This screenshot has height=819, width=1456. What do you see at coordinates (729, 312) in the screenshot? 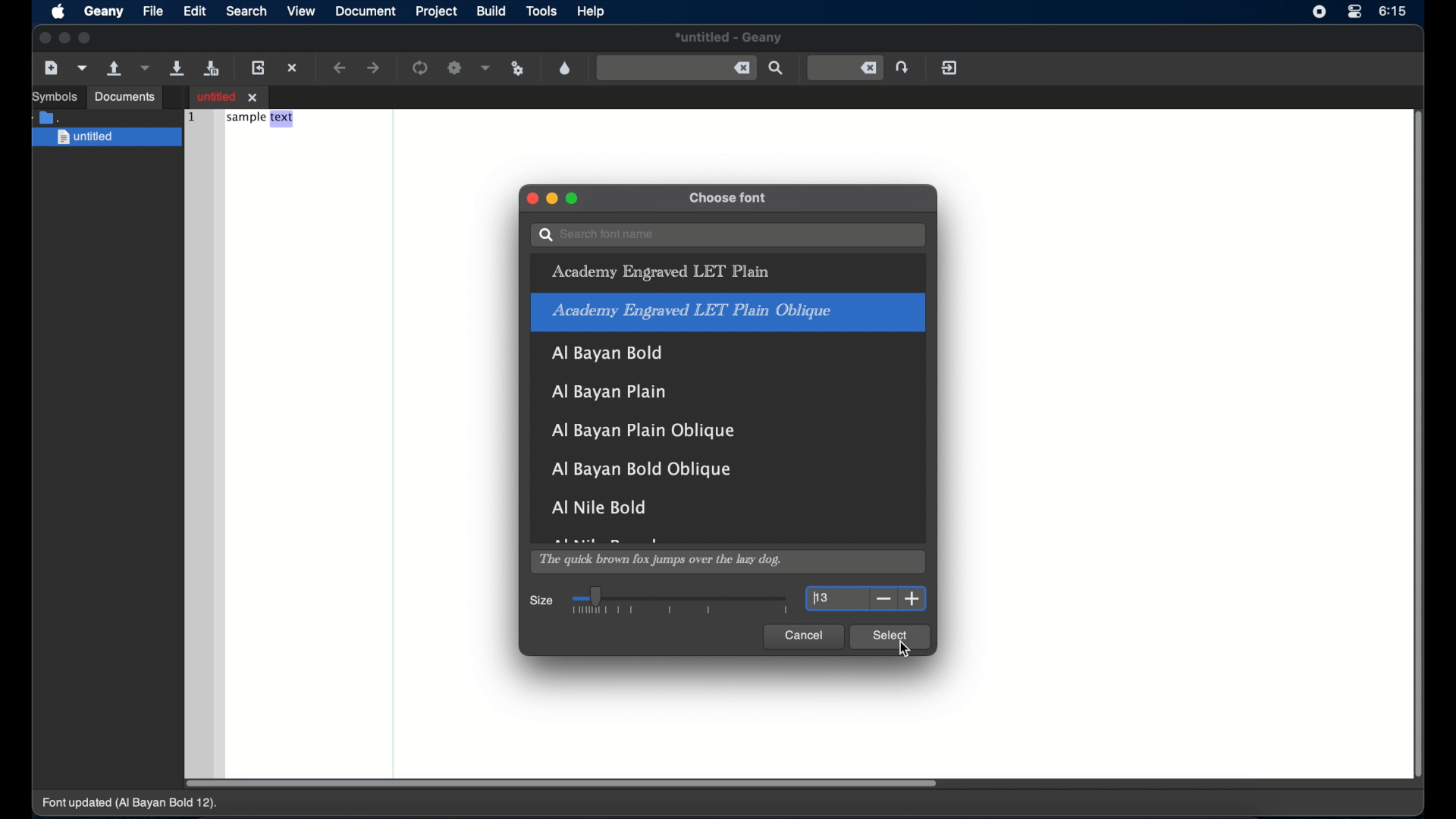
I see `academy engraved LET plain oblique highlighted` at bounding box center [729, 312].